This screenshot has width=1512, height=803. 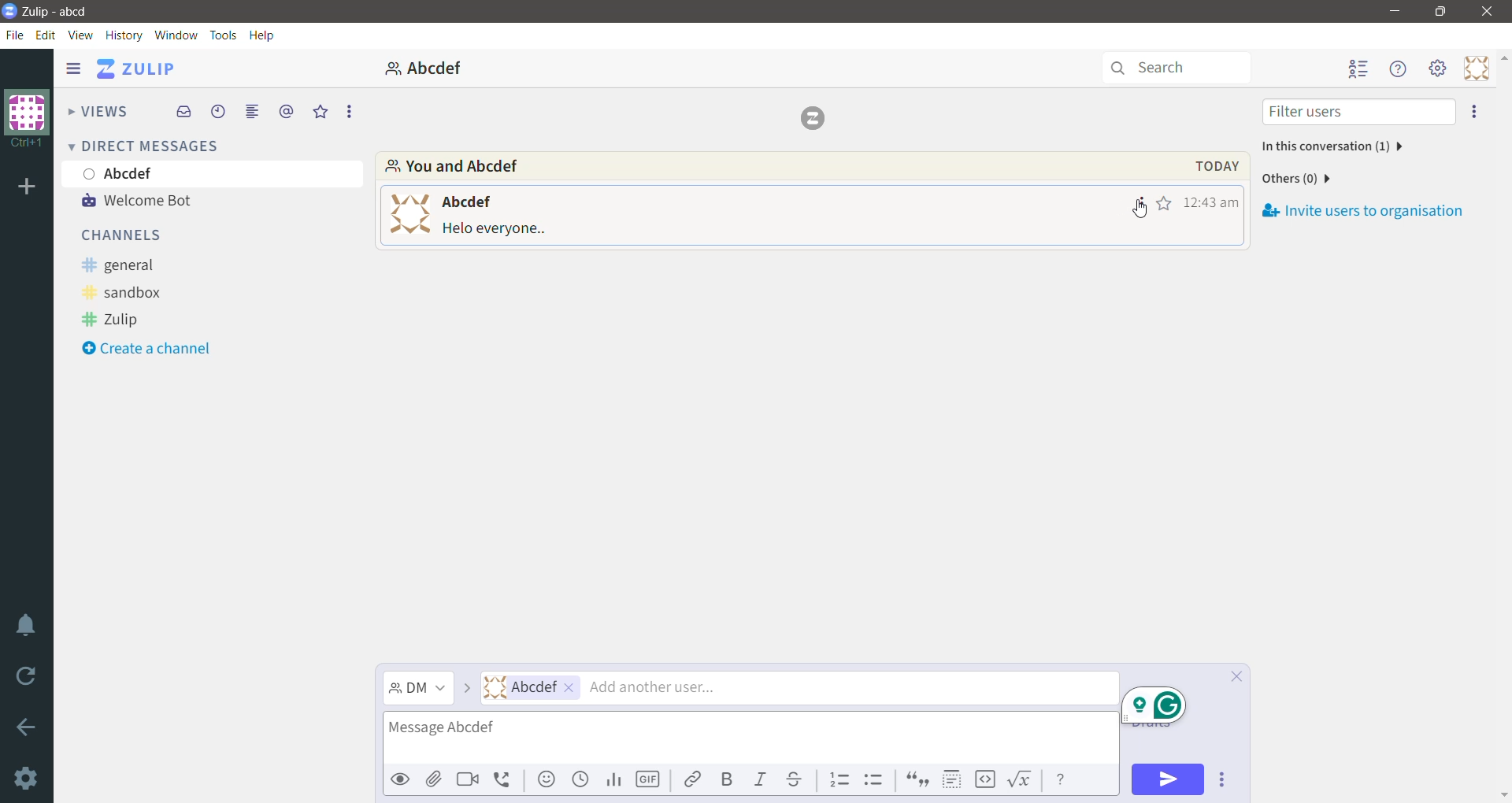 I want to click on Hide user list, so click(x=1359, y=69).